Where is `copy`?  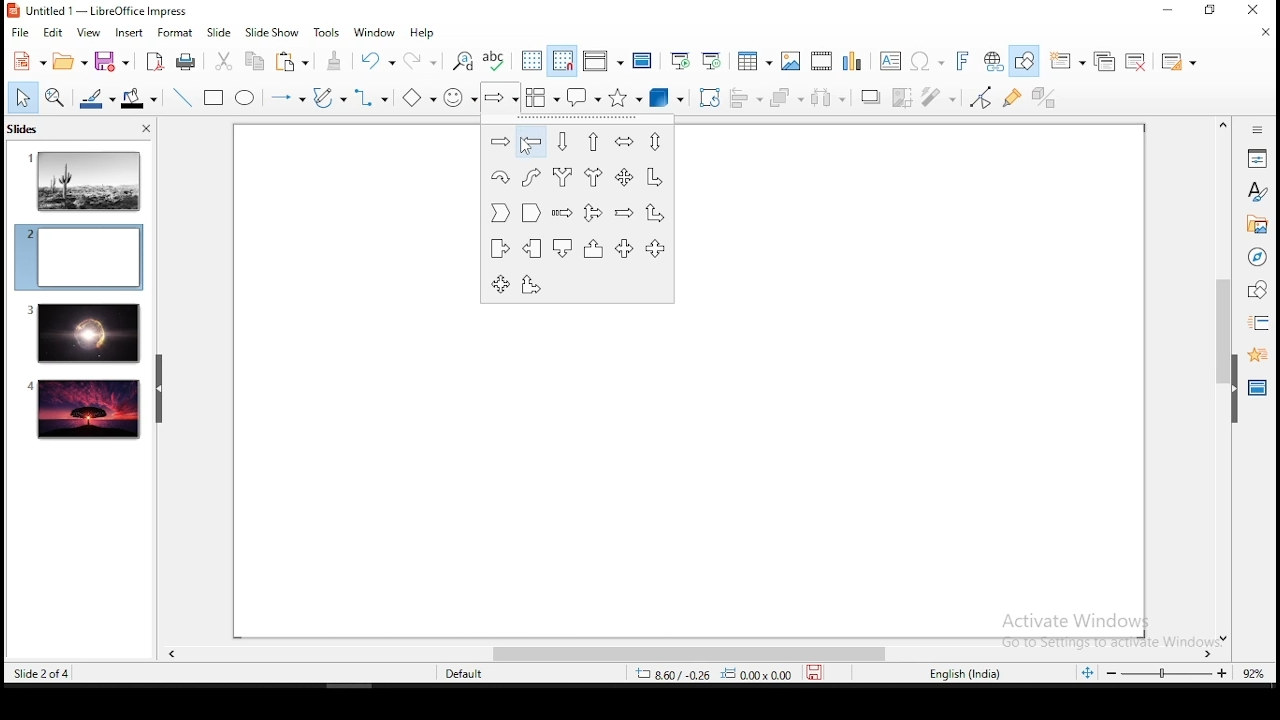 copy is located at coordinates (252, 61).